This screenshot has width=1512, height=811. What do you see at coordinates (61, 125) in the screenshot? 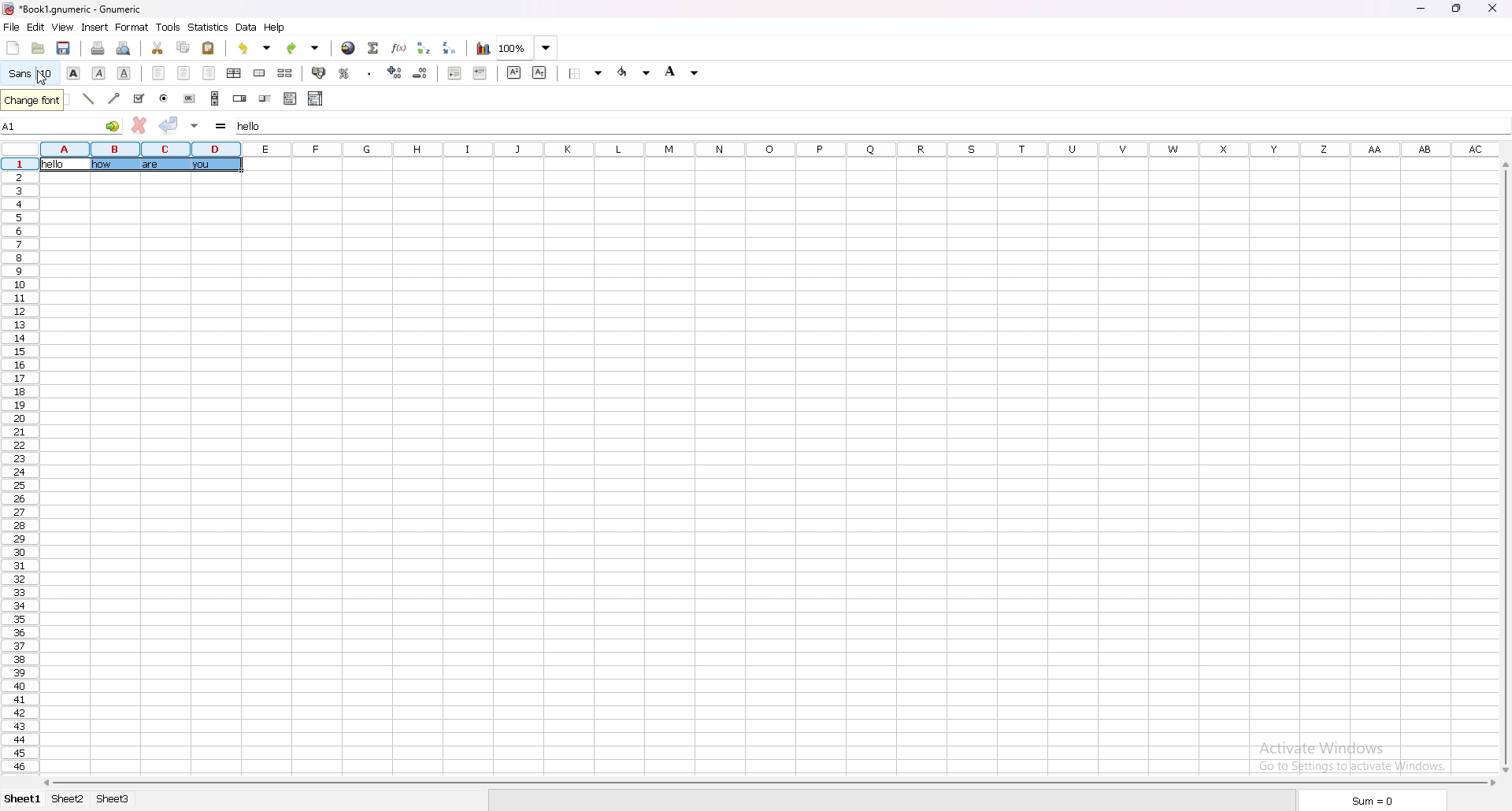
I see `selected cell` at bounding box center [61, 125].